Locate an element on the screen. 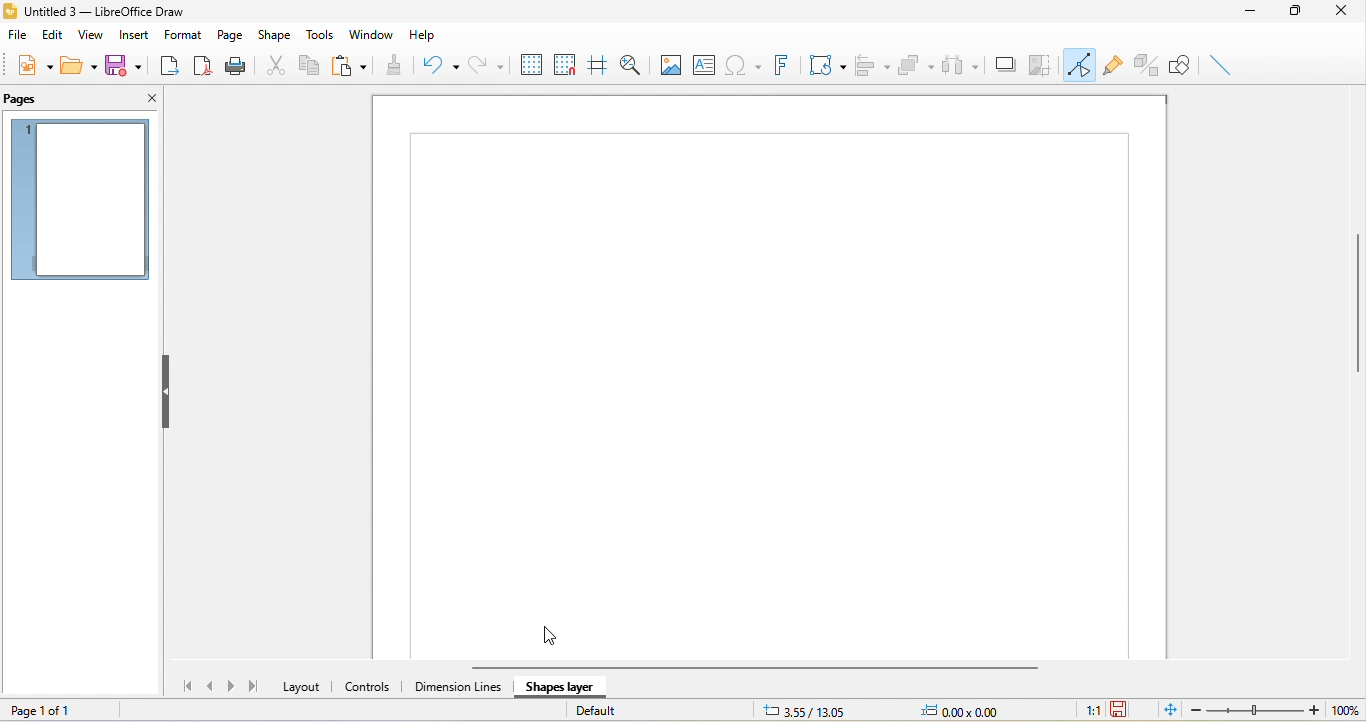 This screenshot has height=722, width=1366. title is located at coordinates (108, 10).